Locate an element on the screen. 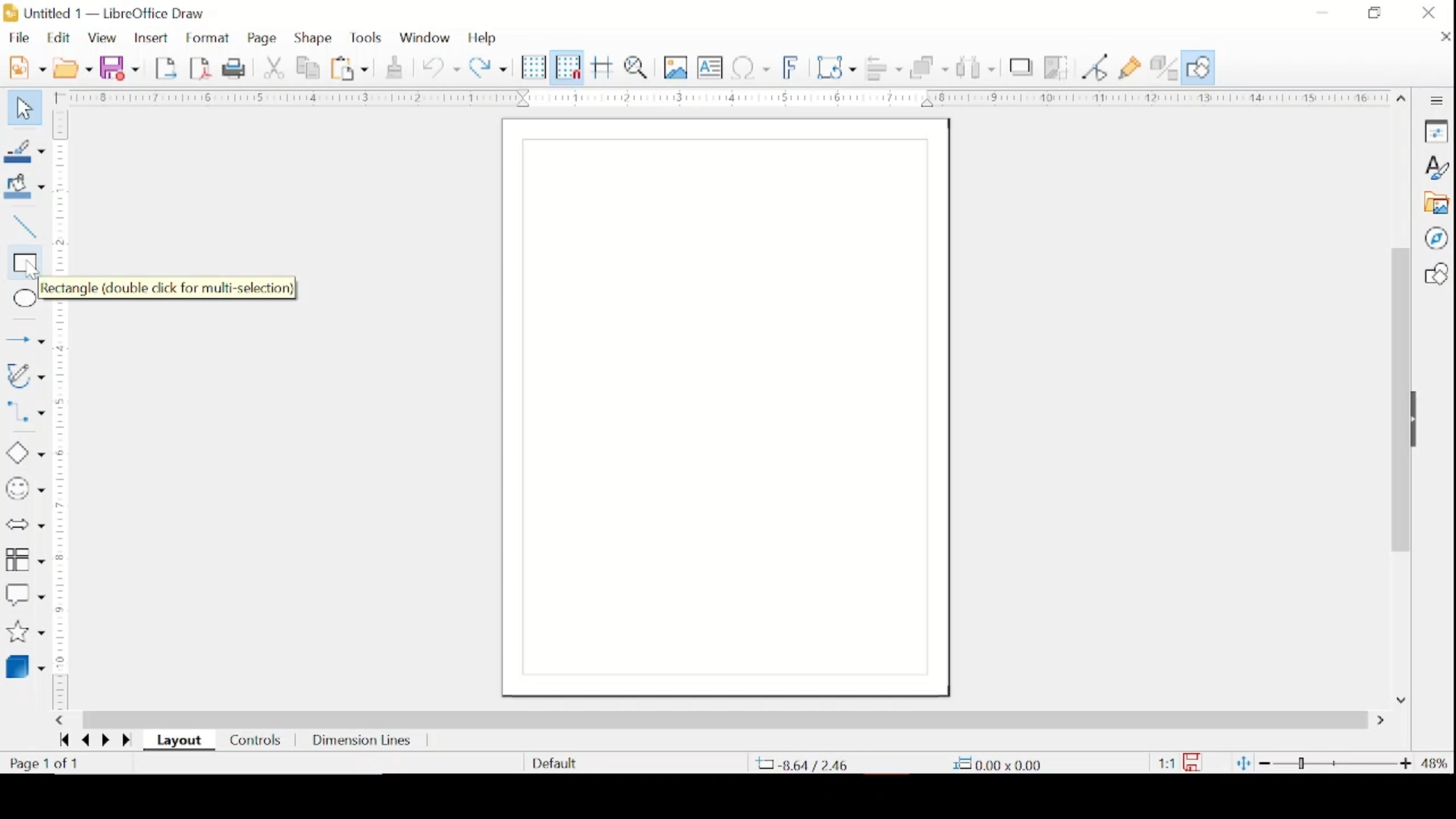 This screenshot has width=1456, height=819. rectangular (double click for multi-selection) is located at coordinates (174, 288).